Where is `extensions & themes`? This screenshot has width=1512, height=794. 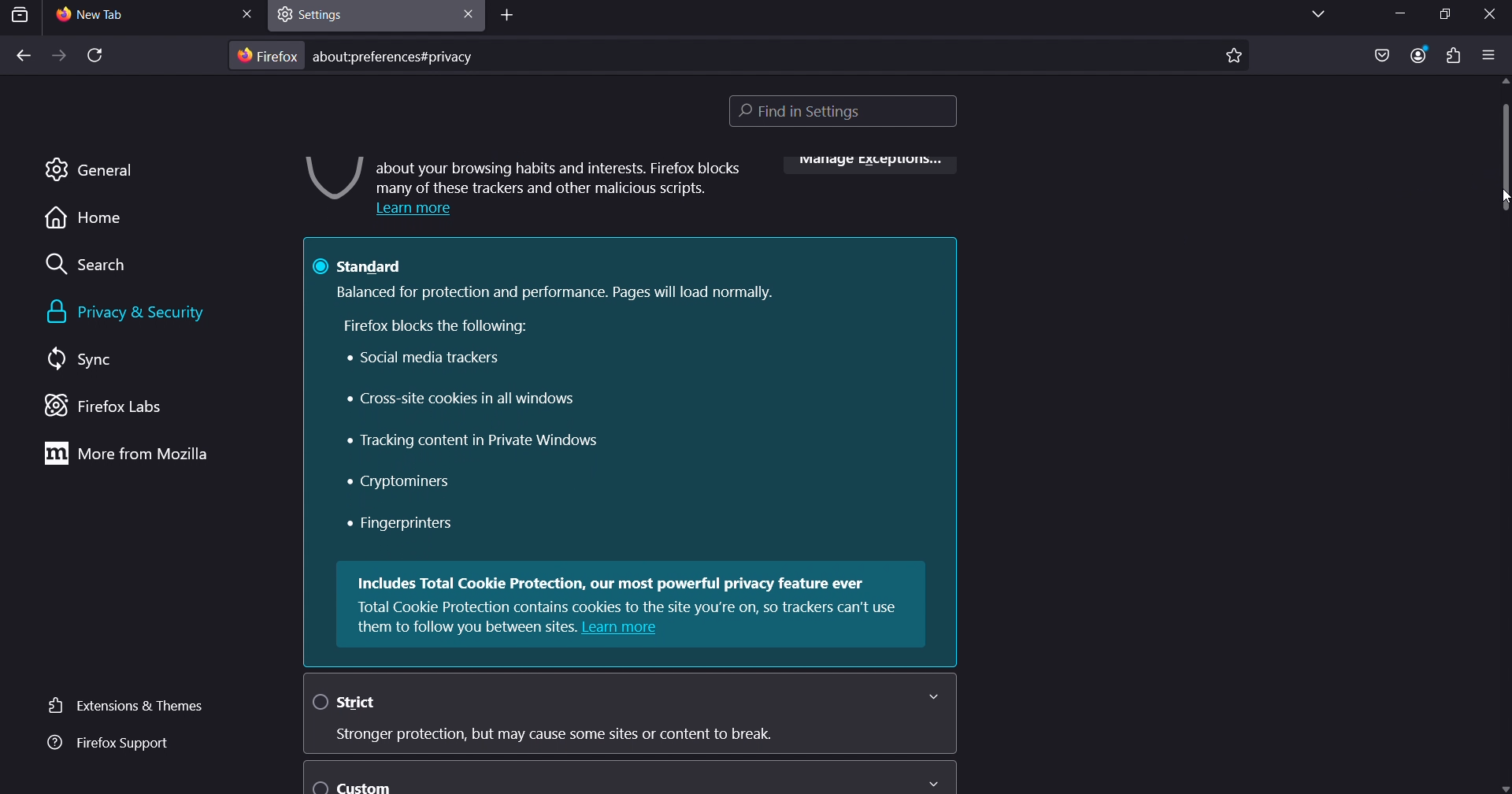 extensions & themes is located at coordinates (121, 704).